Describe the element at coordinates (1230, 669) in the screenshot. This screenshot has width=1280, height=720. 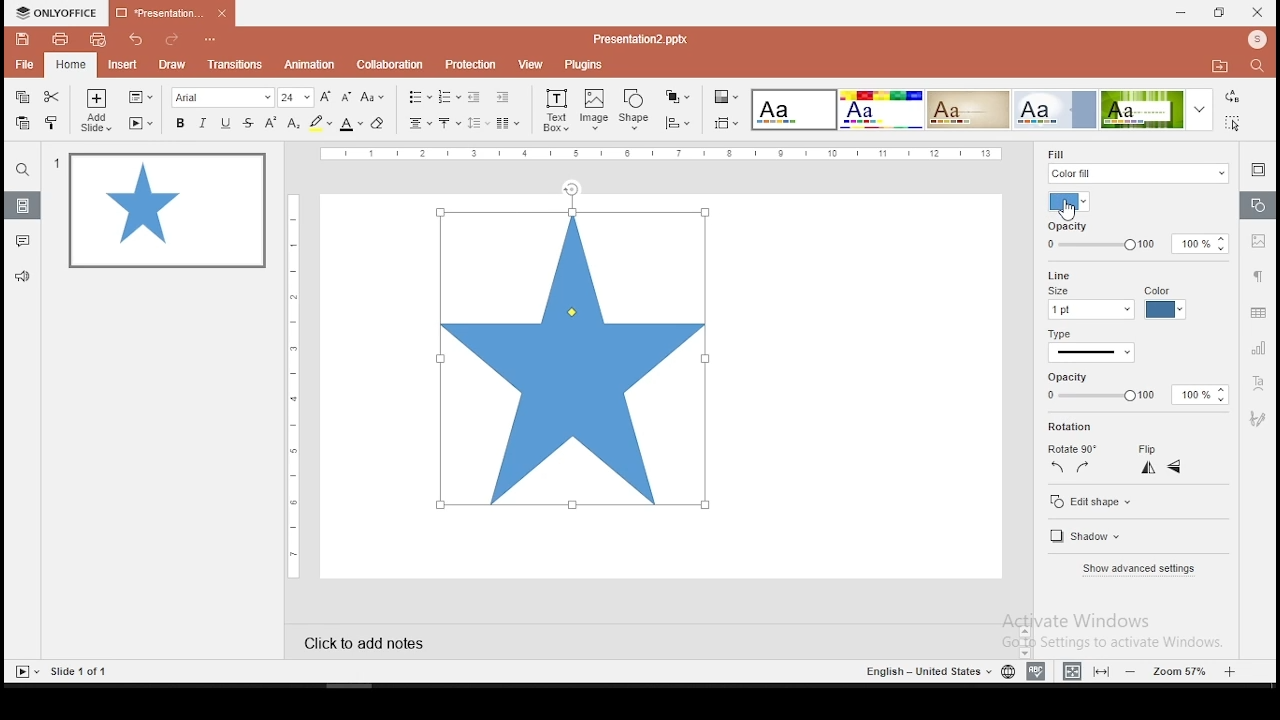
I see `zoom in` at that location.